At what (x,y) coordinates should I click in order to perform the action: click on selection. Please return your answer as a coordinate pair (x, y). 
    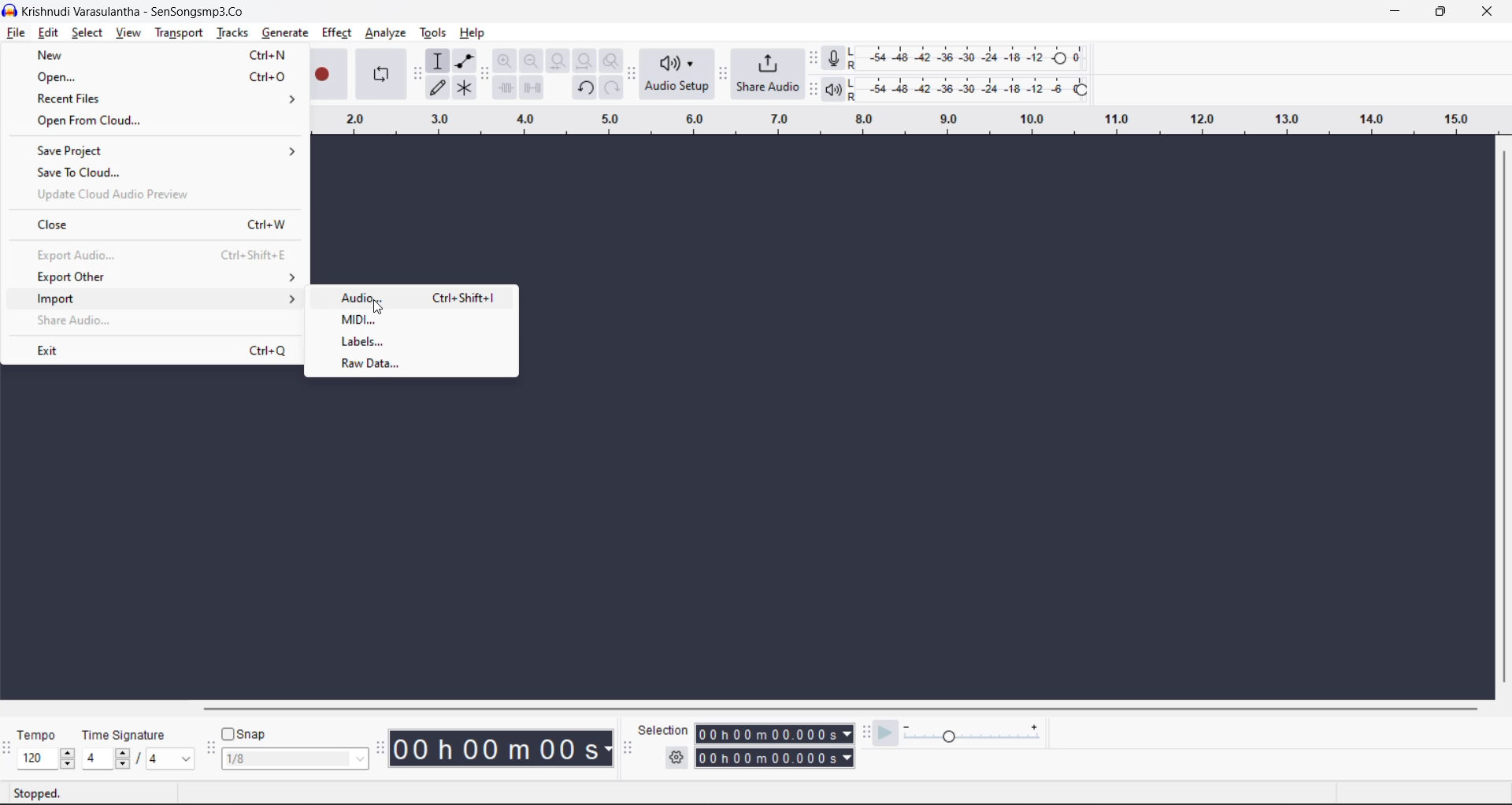
    Looking at the image, I should click on (664, 730).